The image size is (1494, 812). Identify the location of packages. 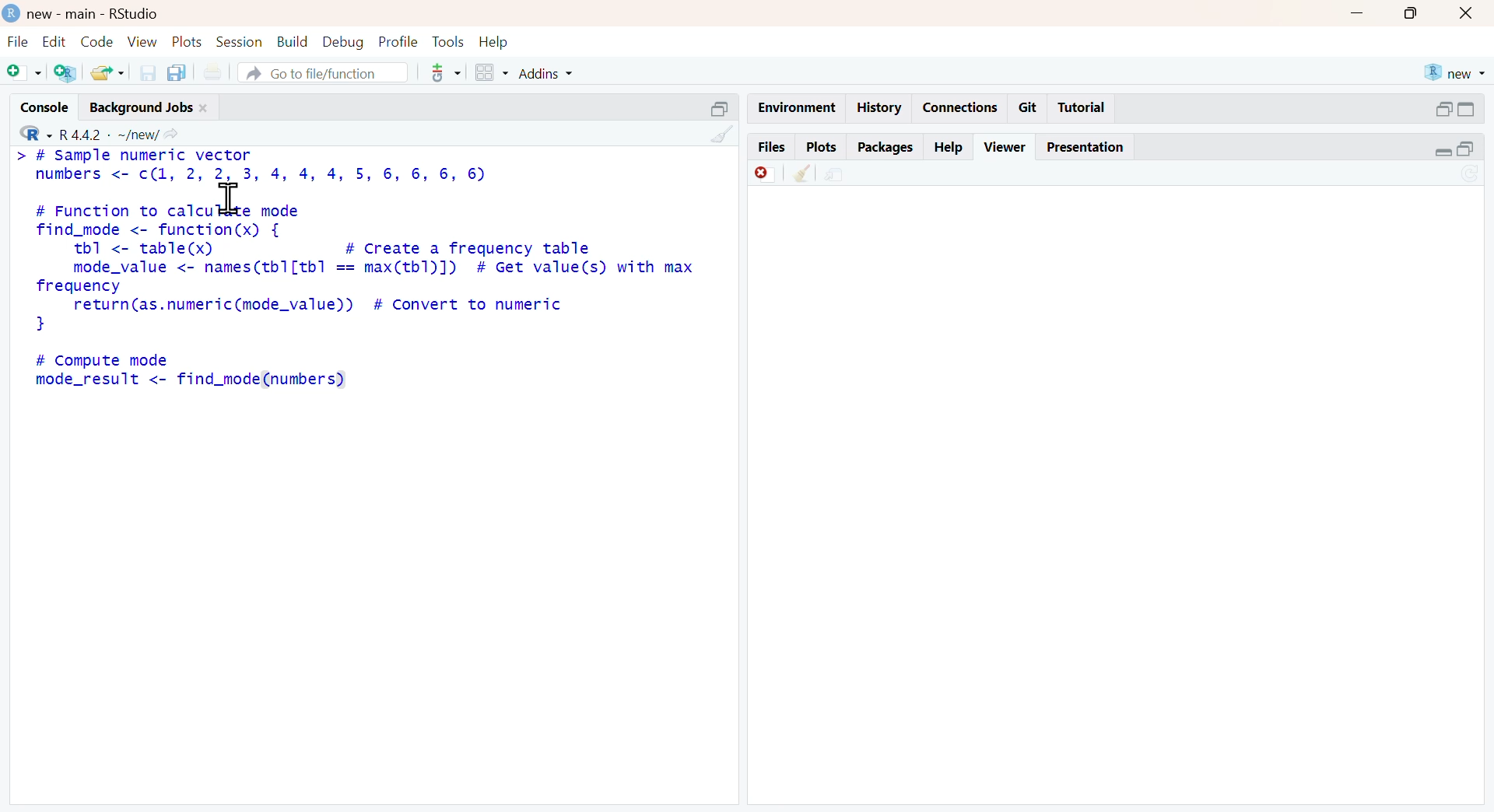
(887, 149).